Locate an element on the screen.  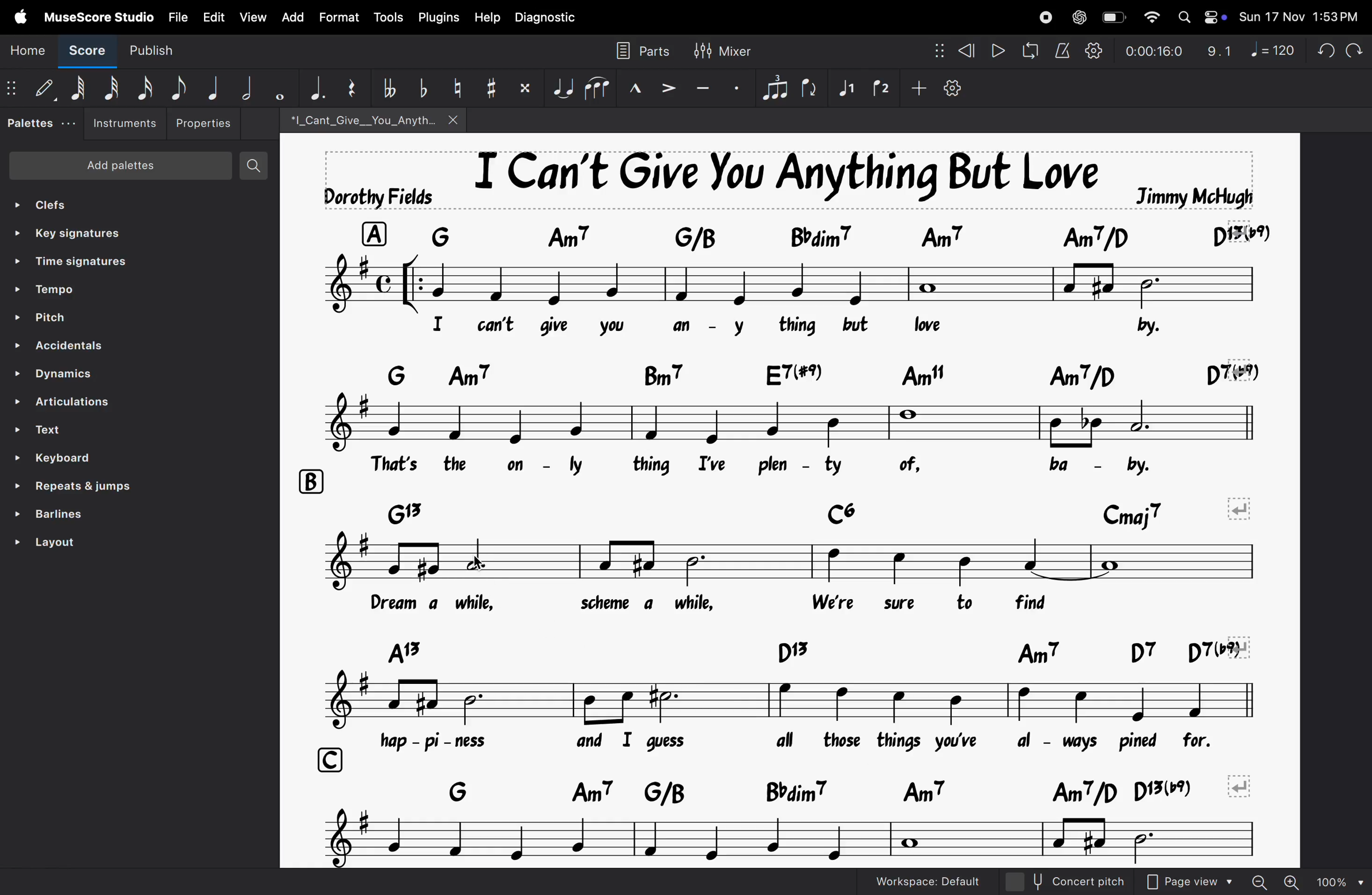
song title is located at coordinates (789, 180).